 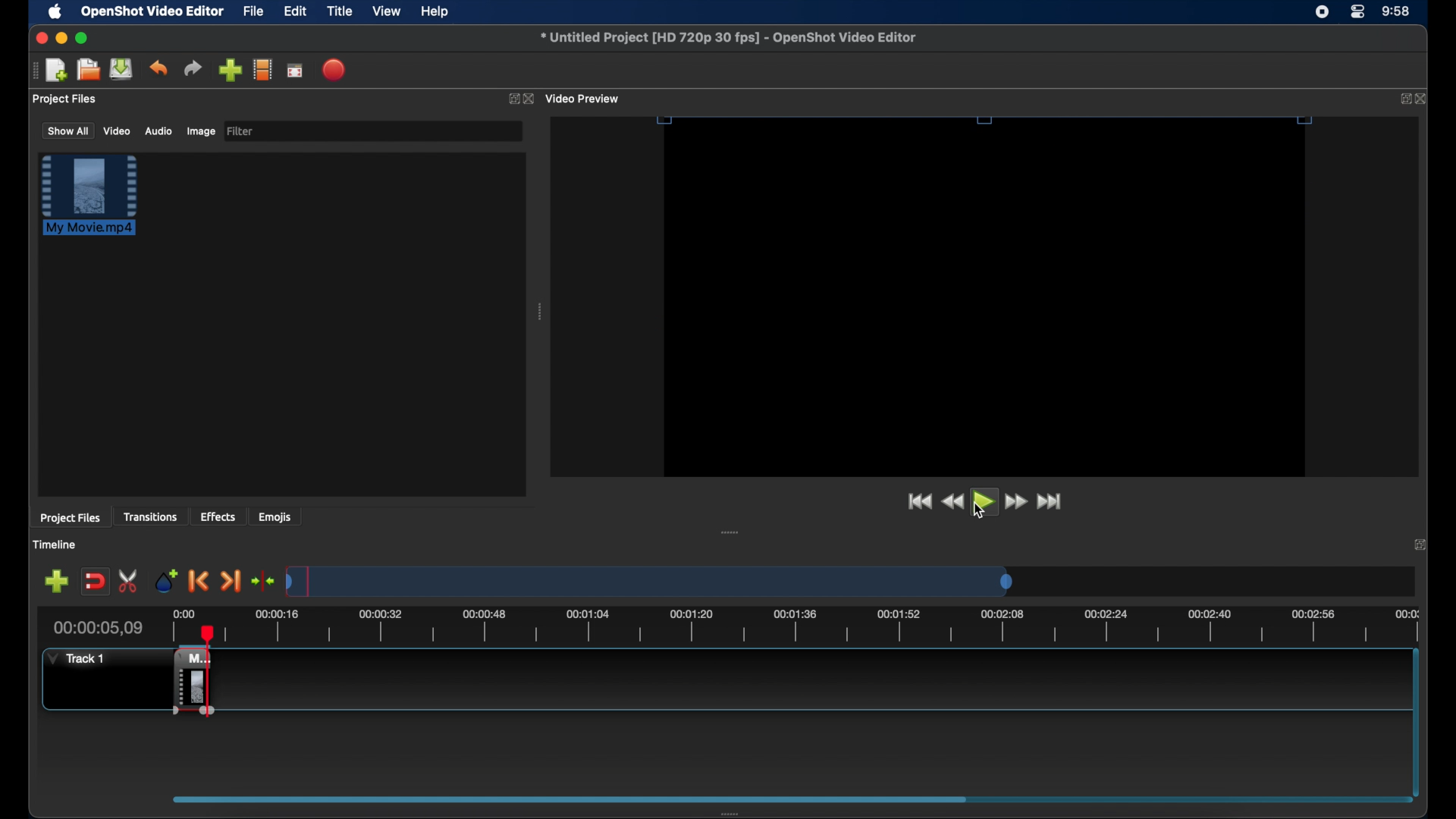 What do you see at coordinates (123, 69) in the screenshot?
I see `save files` at bounding box center [123, 69].